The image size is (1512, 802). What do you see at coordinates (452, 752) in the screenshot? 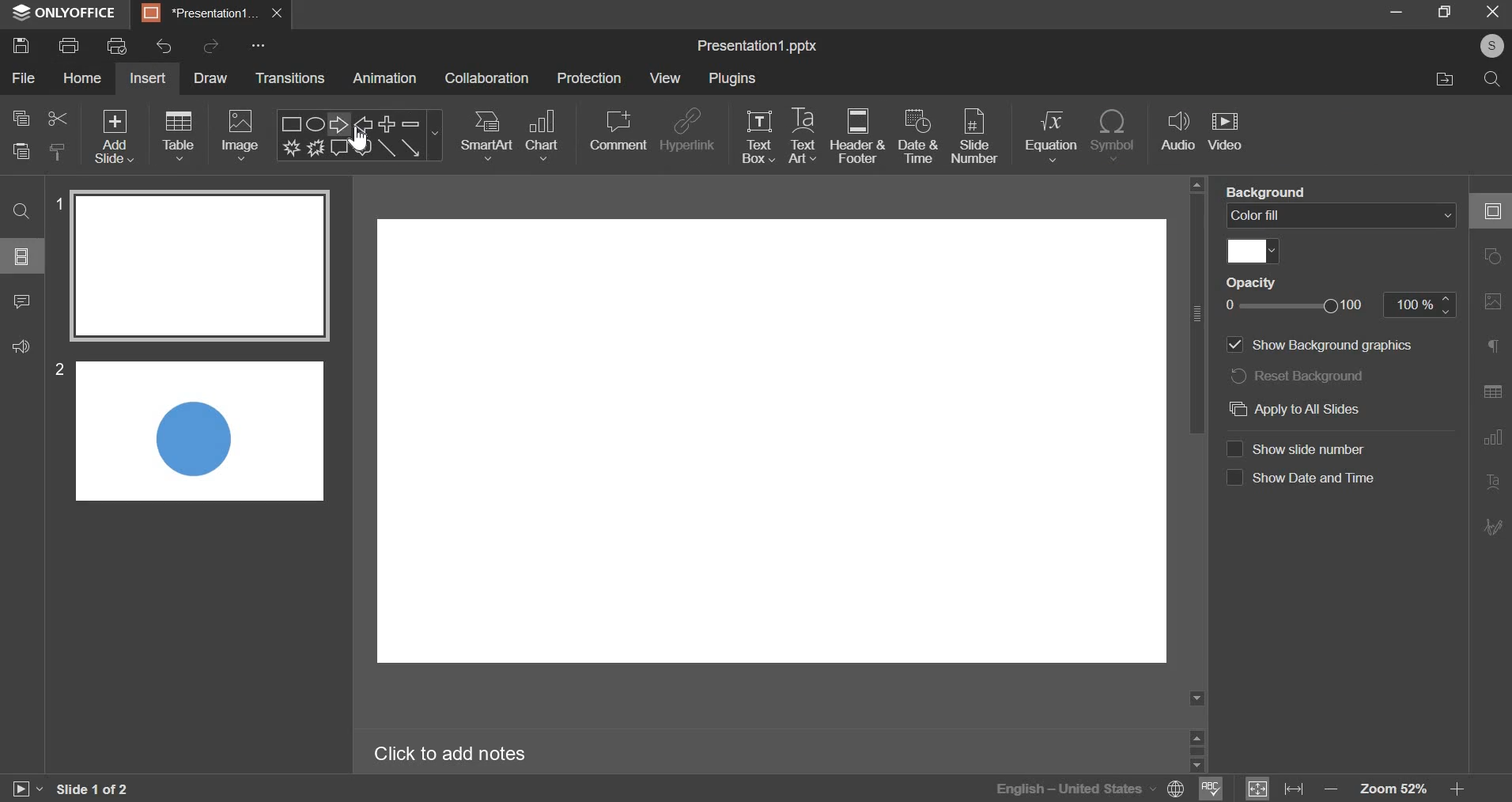
I see `Click to add notes` at bounding box center [452, 752].